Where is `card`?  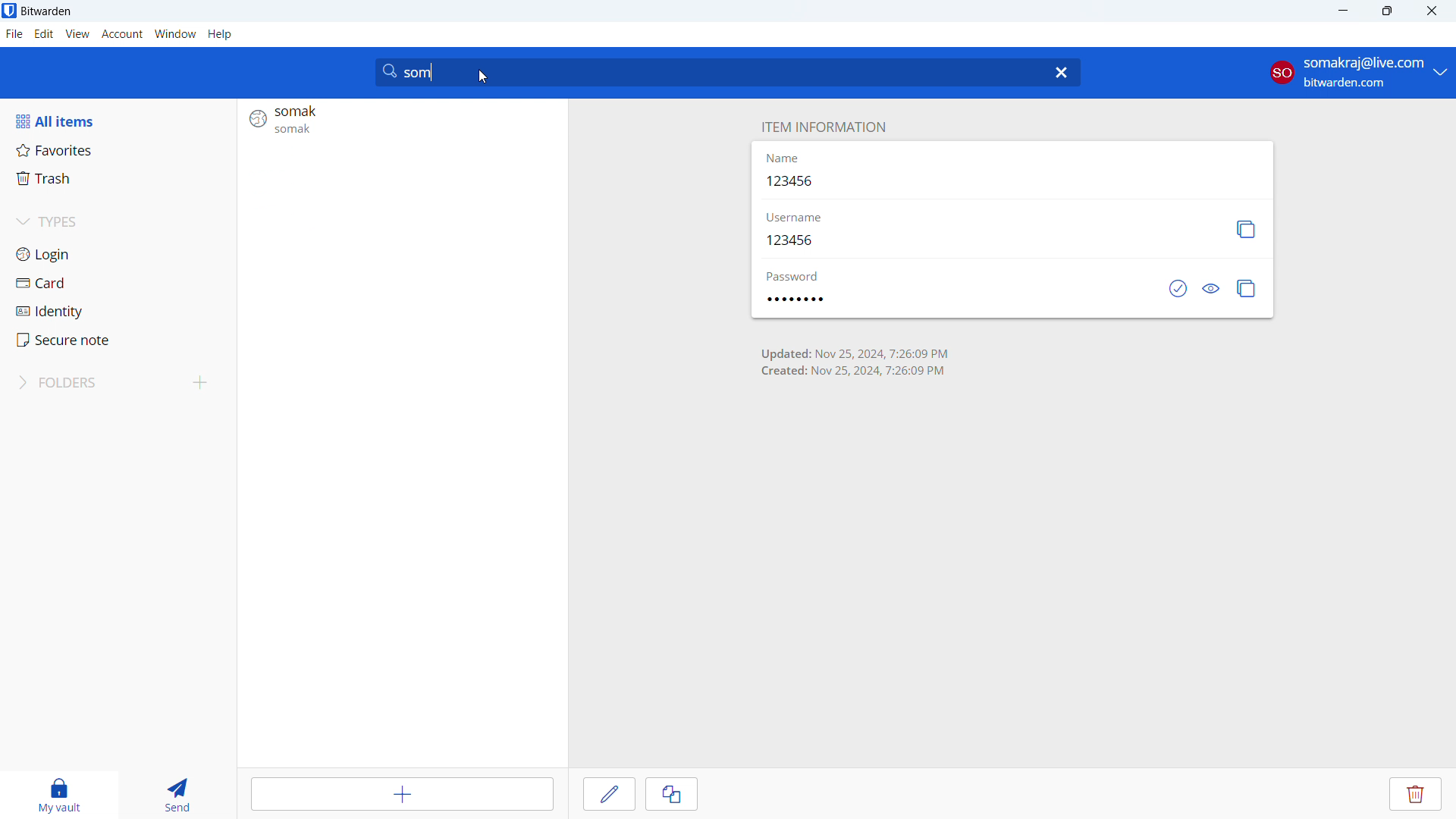 card is located at coordinates (118, 282).